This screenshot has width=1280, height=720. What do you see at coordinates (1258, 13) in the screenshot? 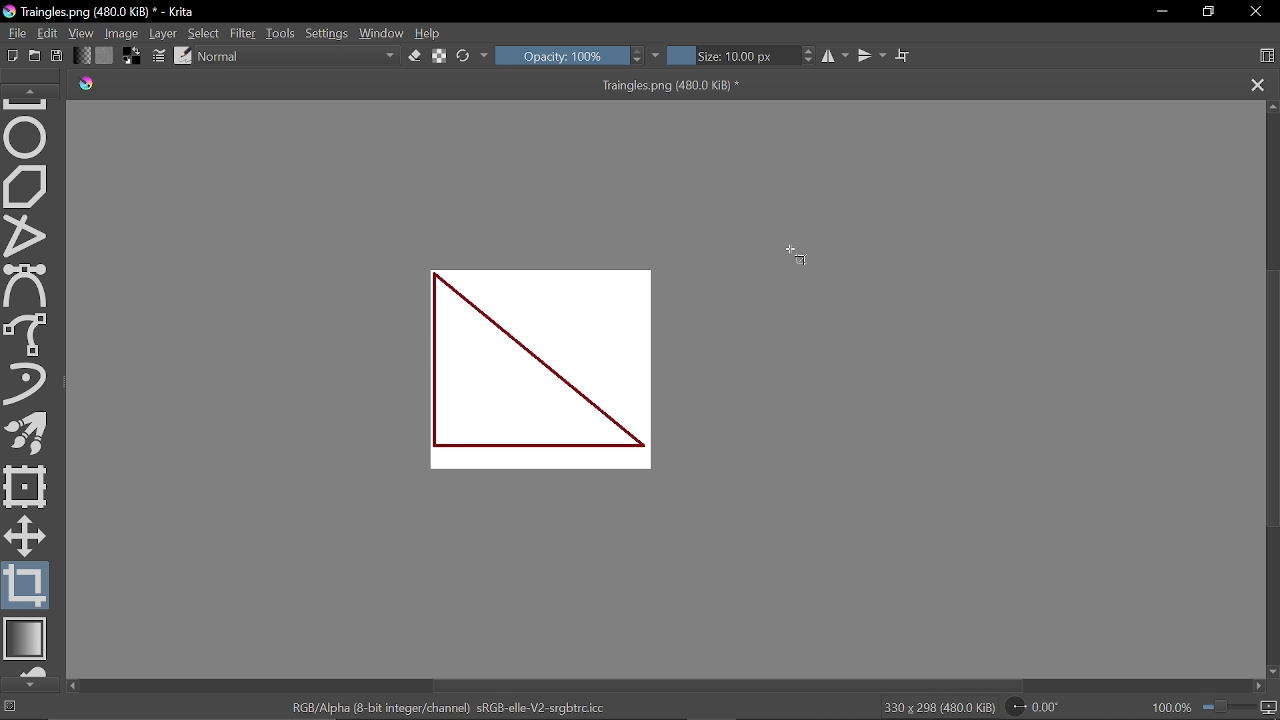
I see `Close` at bounding box center [1258, 13].